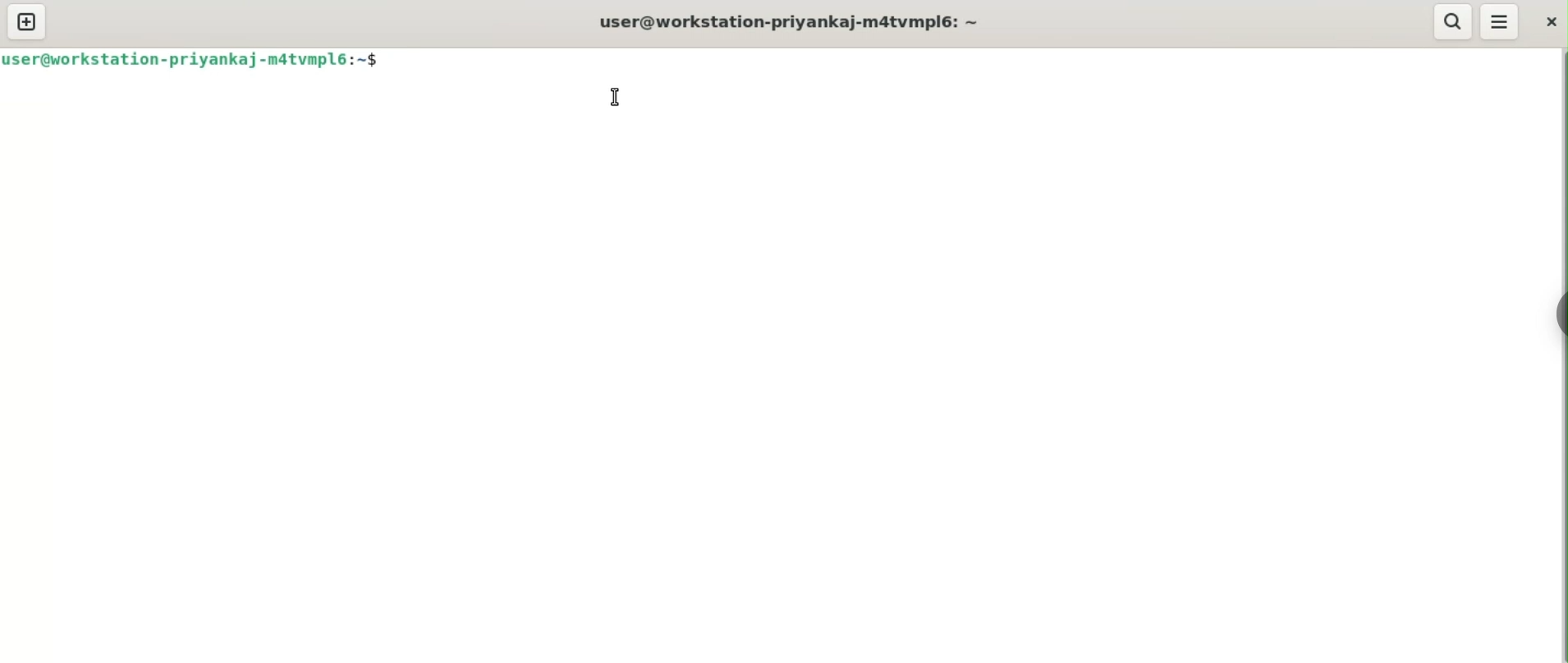  Describe the element at coordinates (193, 59) in the screenshot. I see `user@workstation-priyankaj-m4tvmpl6: ~$` at that location.